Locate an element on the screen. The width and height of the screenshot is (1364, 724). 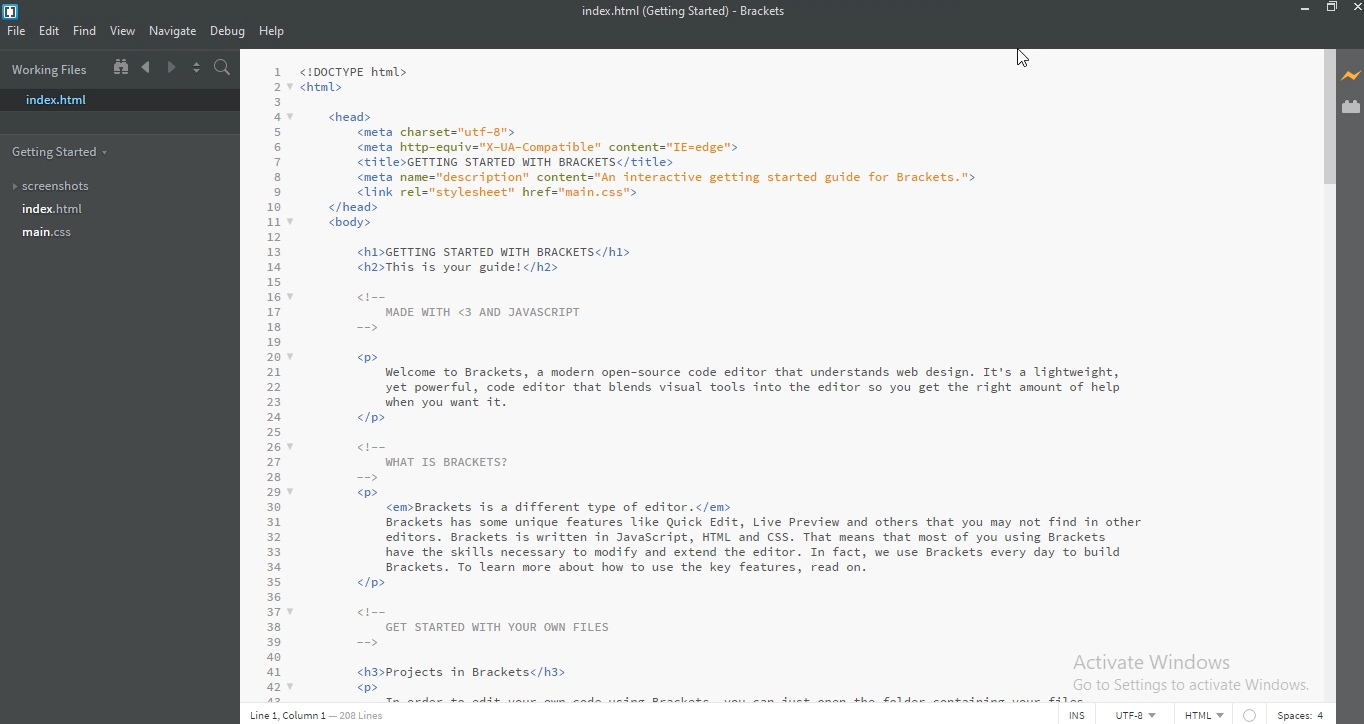
previous document is located at coordinates (144, 68).